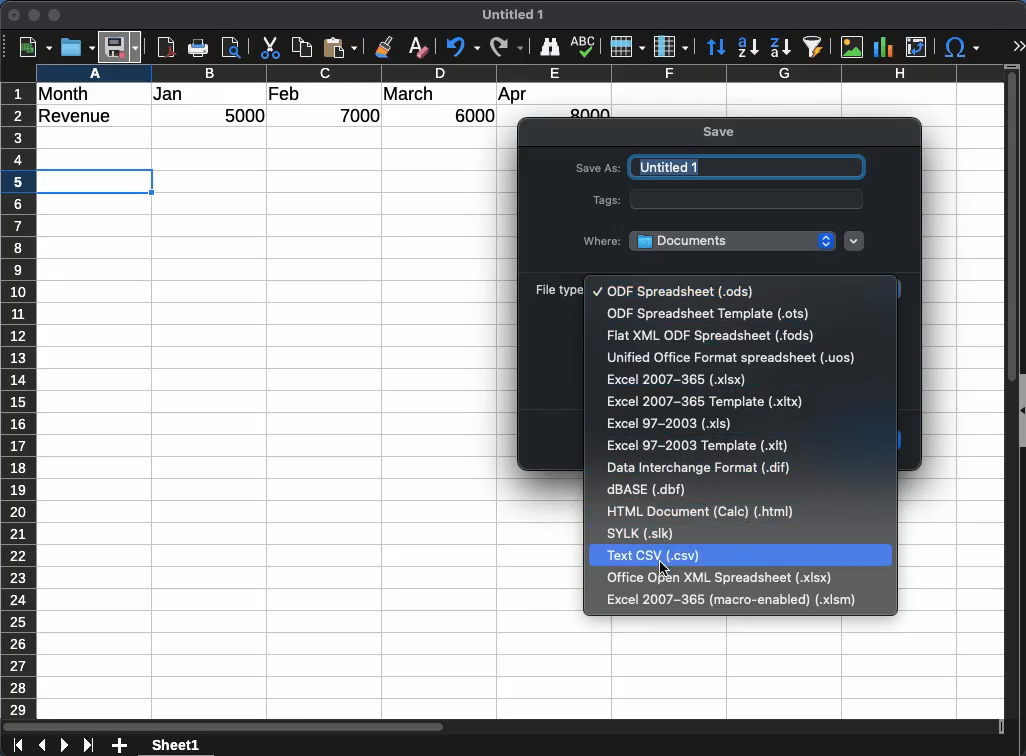 The image size is (1026, 756). What do you see at coordinates (716, 47) in the screenshot?
I see `sort` at bounding box center [716, 47].